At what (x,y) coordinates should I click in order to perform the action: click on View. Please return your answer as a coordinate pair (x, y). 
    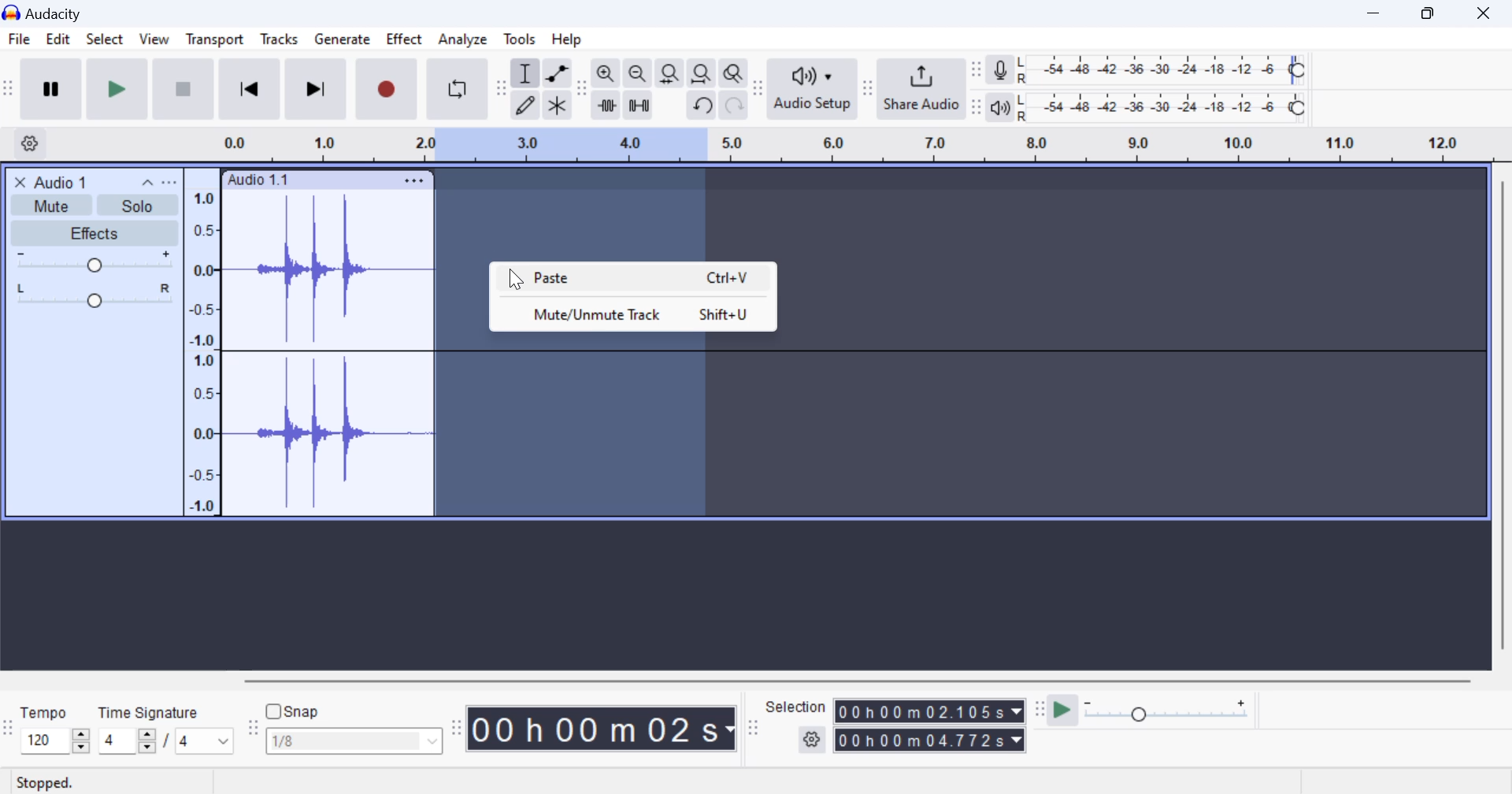
    Looking at the image, I should click on (153, 43).